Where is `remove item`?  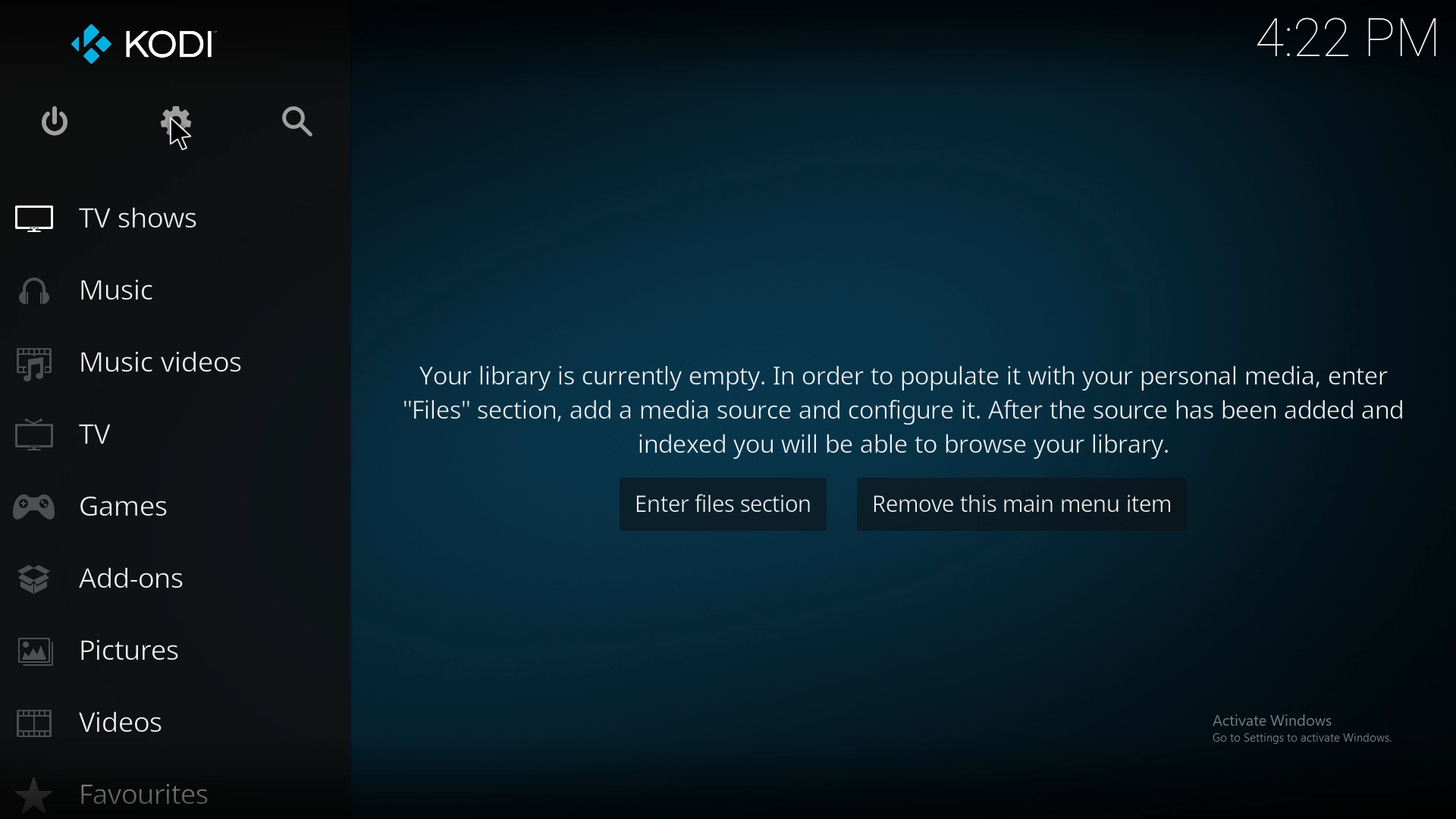 remove item is located at coordinates (1021, 504).